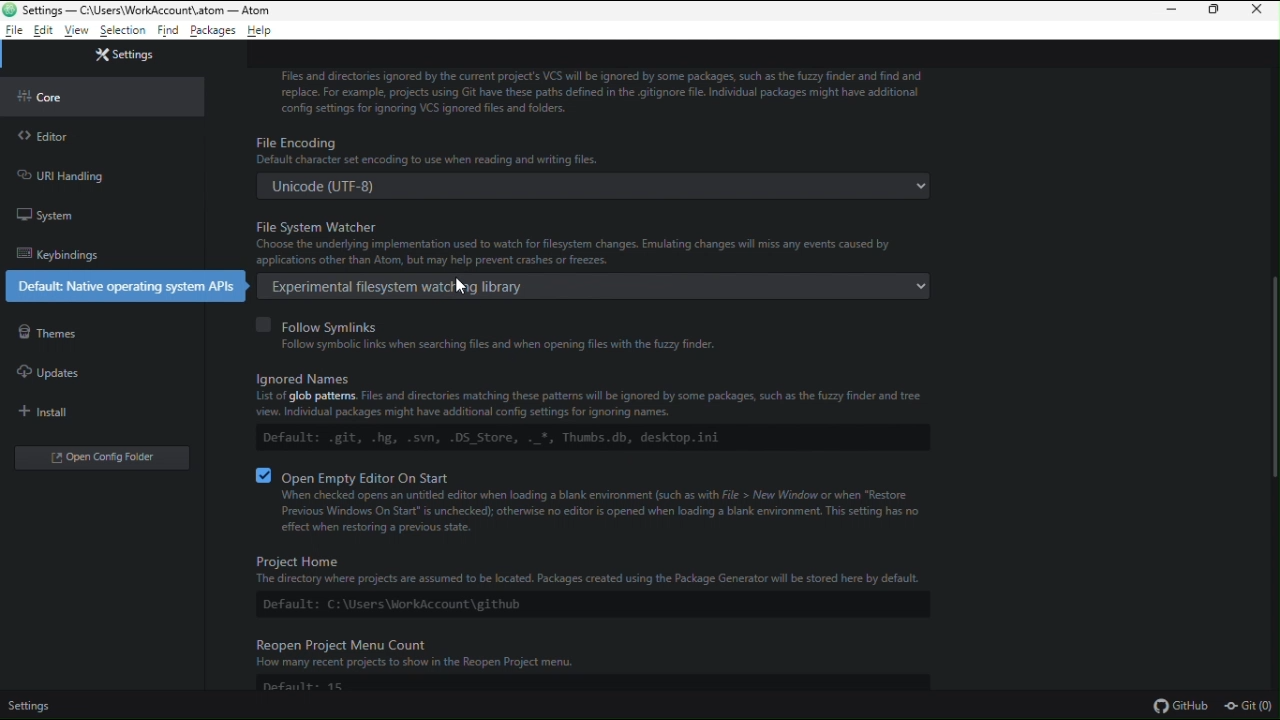 Image resolution: width=1280 pixels, height=720 pixels. What do you see at coordinates (1258, 387) in the screenshot?
I see `slider` at bounding box center [1258, 387].